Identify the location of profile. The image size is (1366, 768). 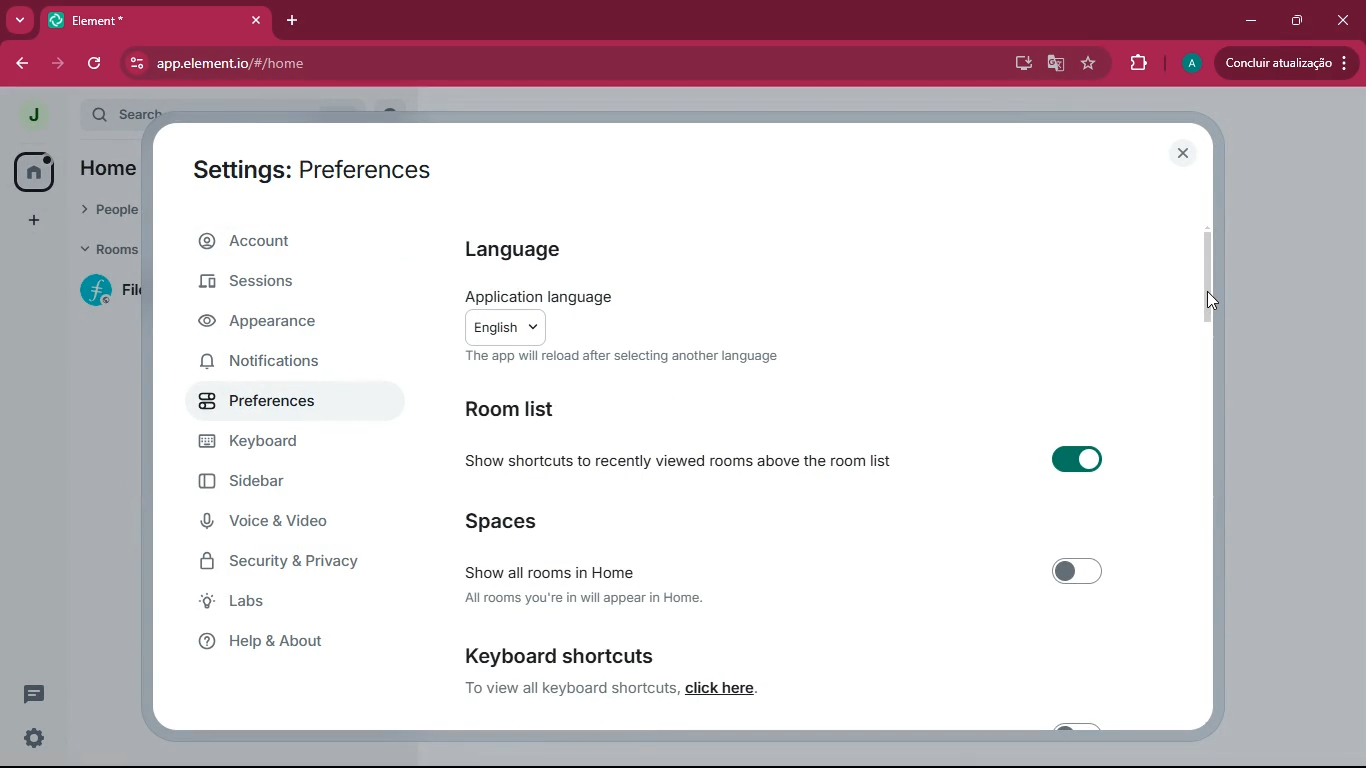
(1190, 64).